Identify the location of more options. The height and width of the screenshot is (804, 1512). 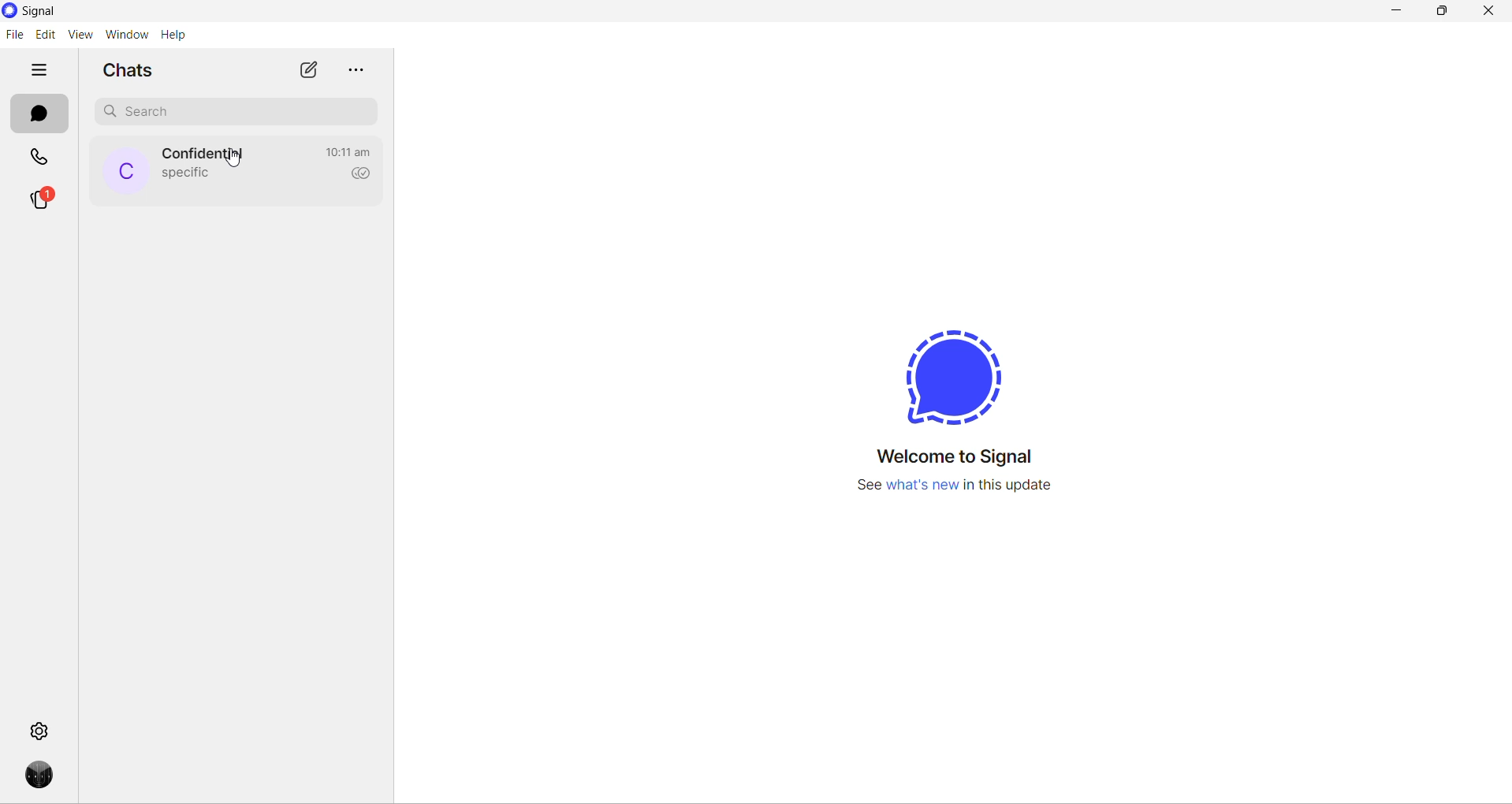
(354, 72).